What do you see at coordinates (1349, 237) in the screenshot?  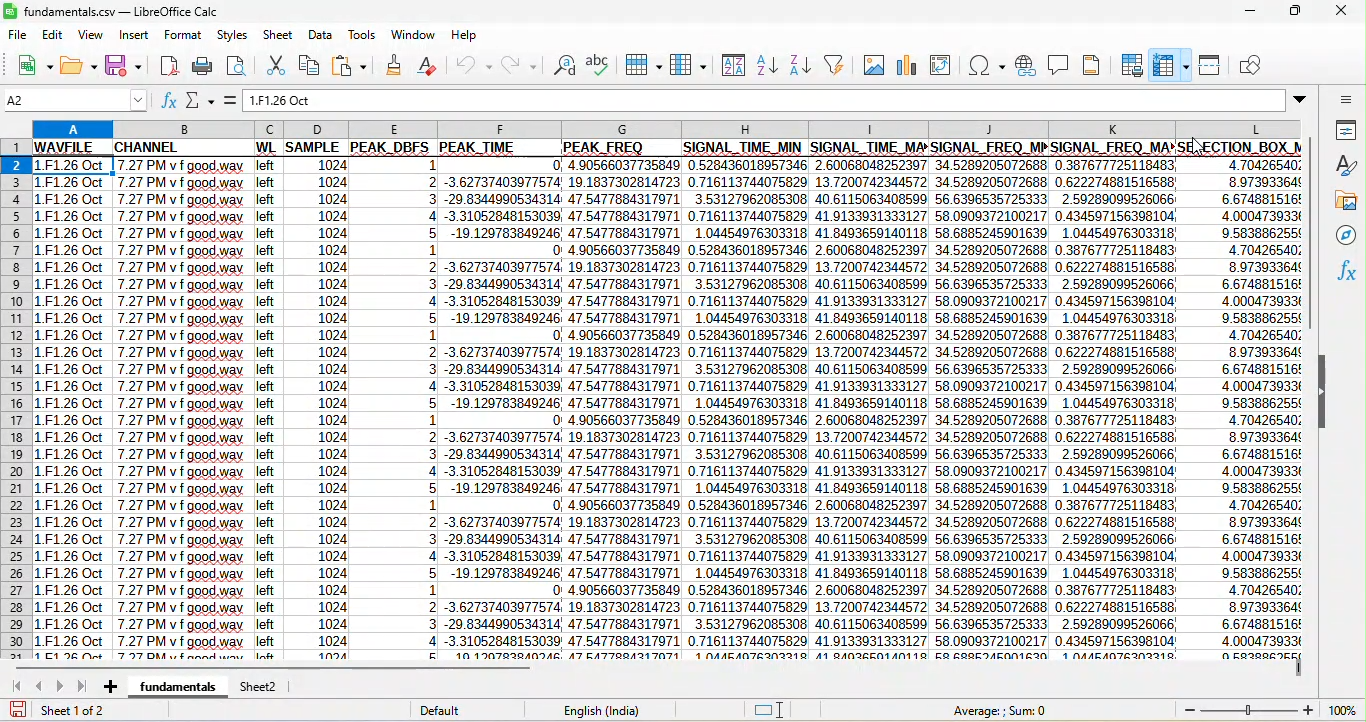 I see `navigator` at bounding box center [1349, 237].